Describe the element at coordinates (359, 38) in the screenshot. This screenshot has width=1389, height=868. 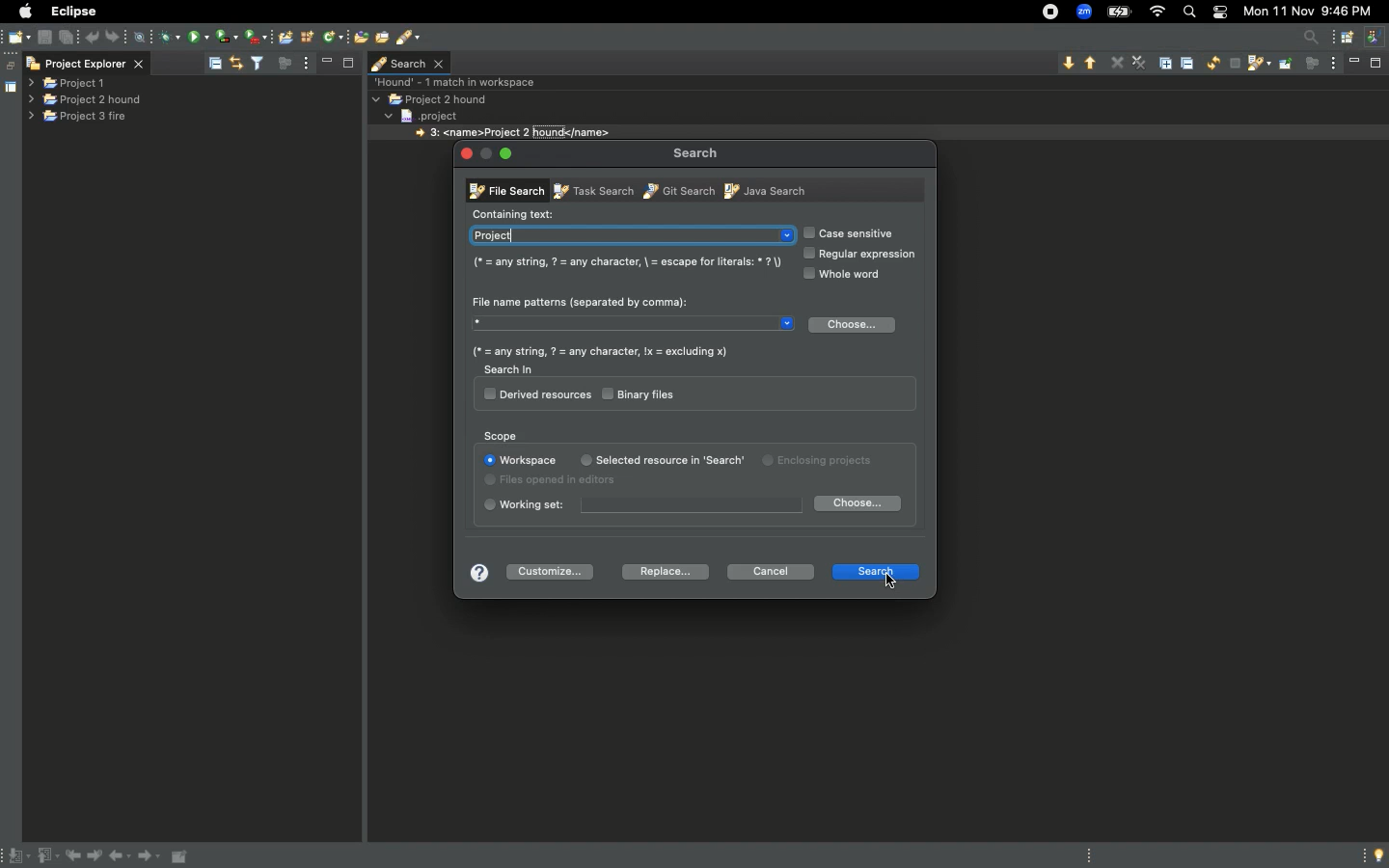
I see `open type` at that location.